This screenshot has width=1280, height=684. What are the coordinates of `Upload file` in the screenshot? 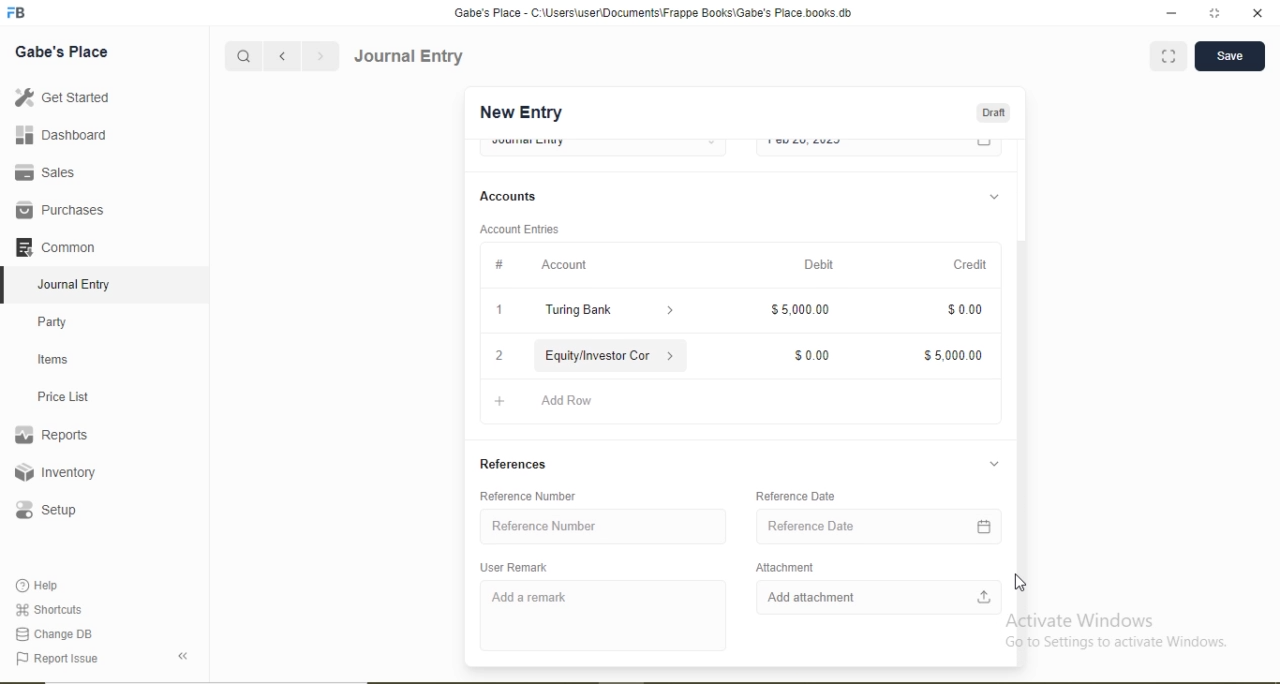 It's located at (985, 596).